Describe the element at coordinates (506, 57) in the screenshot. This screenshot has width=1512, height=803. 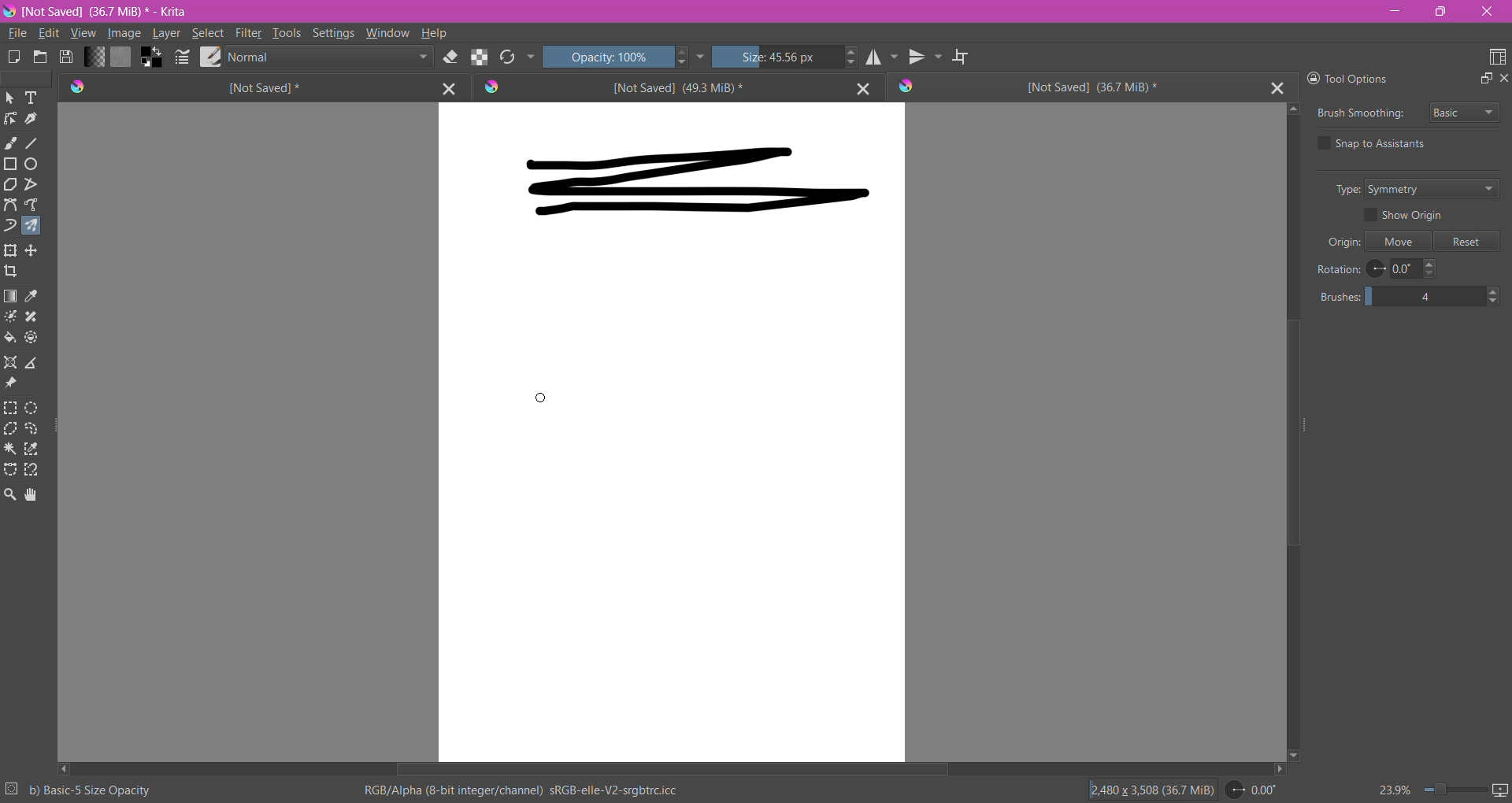
I see `Reload Original Presets` at that location.